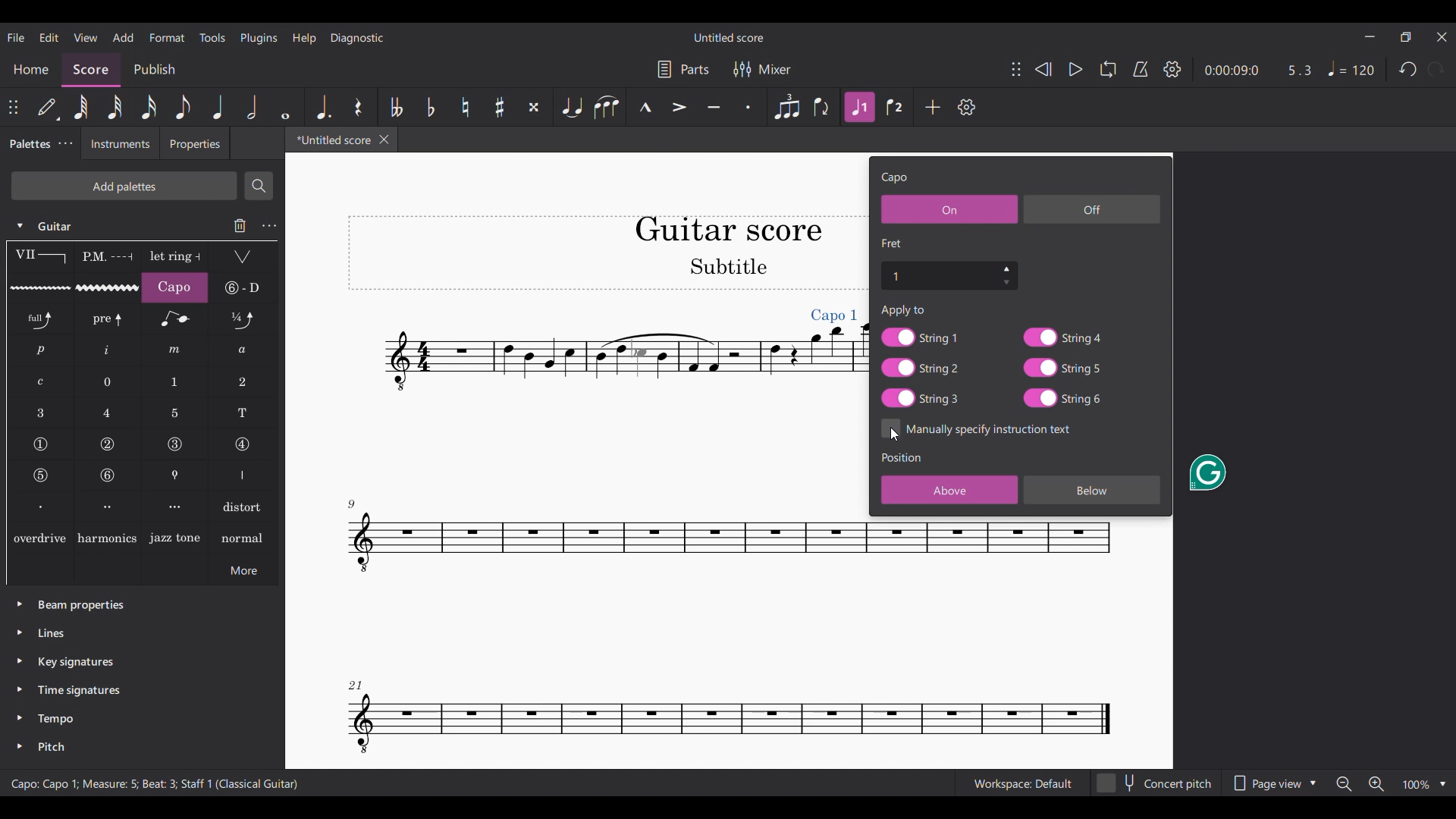 Image resolution: width=1456 pixels, height=819 pixels. I want to click on Quarter note, so click(216, 106).